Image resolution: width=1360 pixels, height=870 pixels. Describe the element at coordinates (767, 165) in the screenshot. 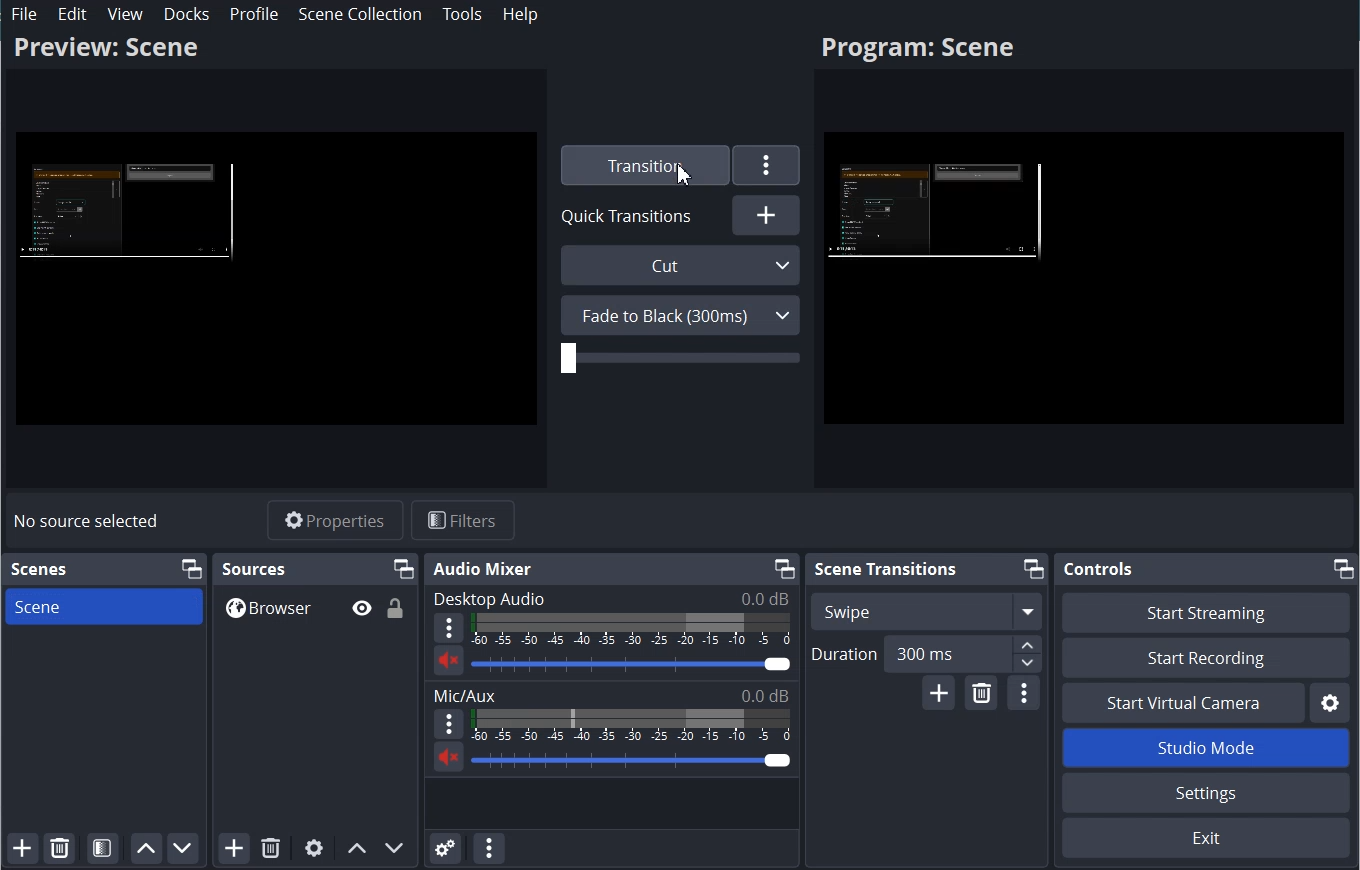

I see `Settings` at that location.